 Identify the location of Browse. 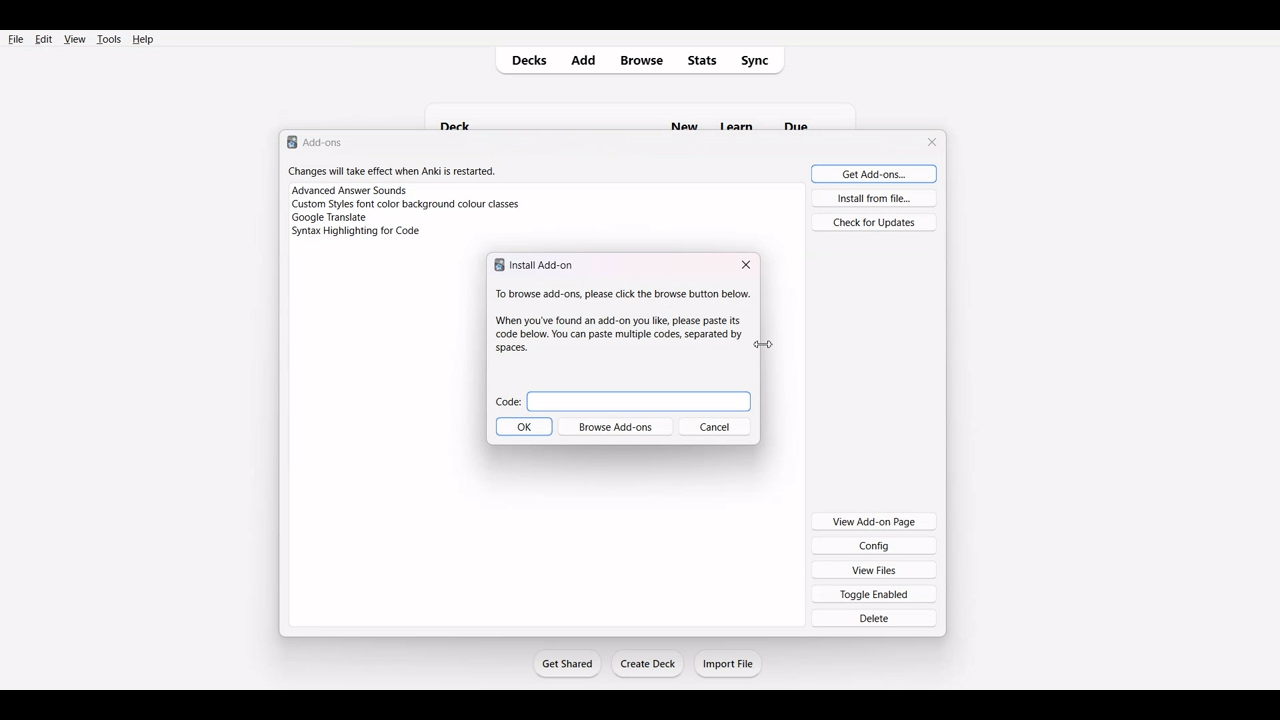
(641, 61).